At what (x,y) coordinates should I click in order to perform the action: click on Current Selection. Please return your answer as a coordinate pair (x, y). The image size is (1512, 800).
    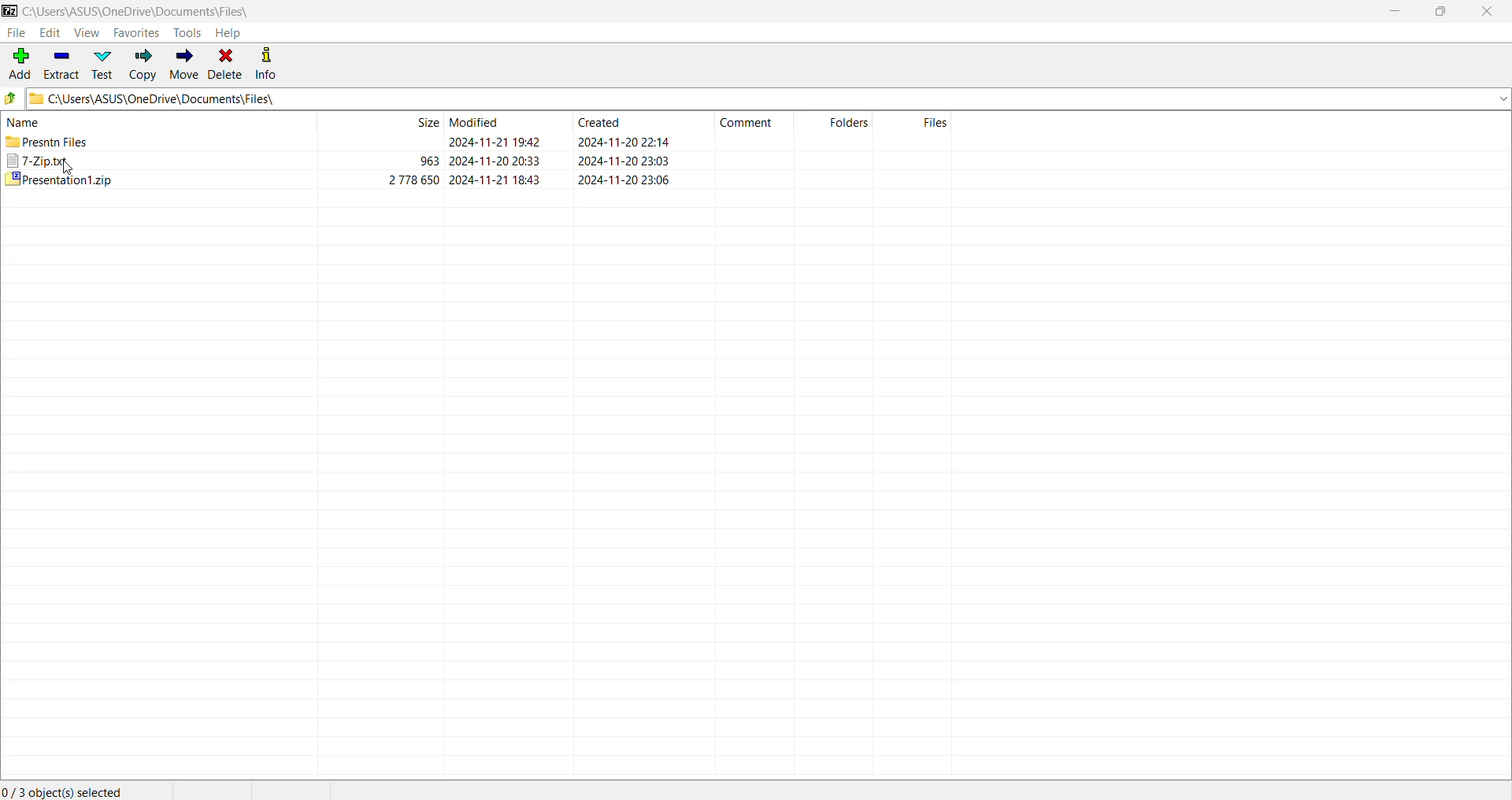
    Looking at the image, I should click on (63, 792).